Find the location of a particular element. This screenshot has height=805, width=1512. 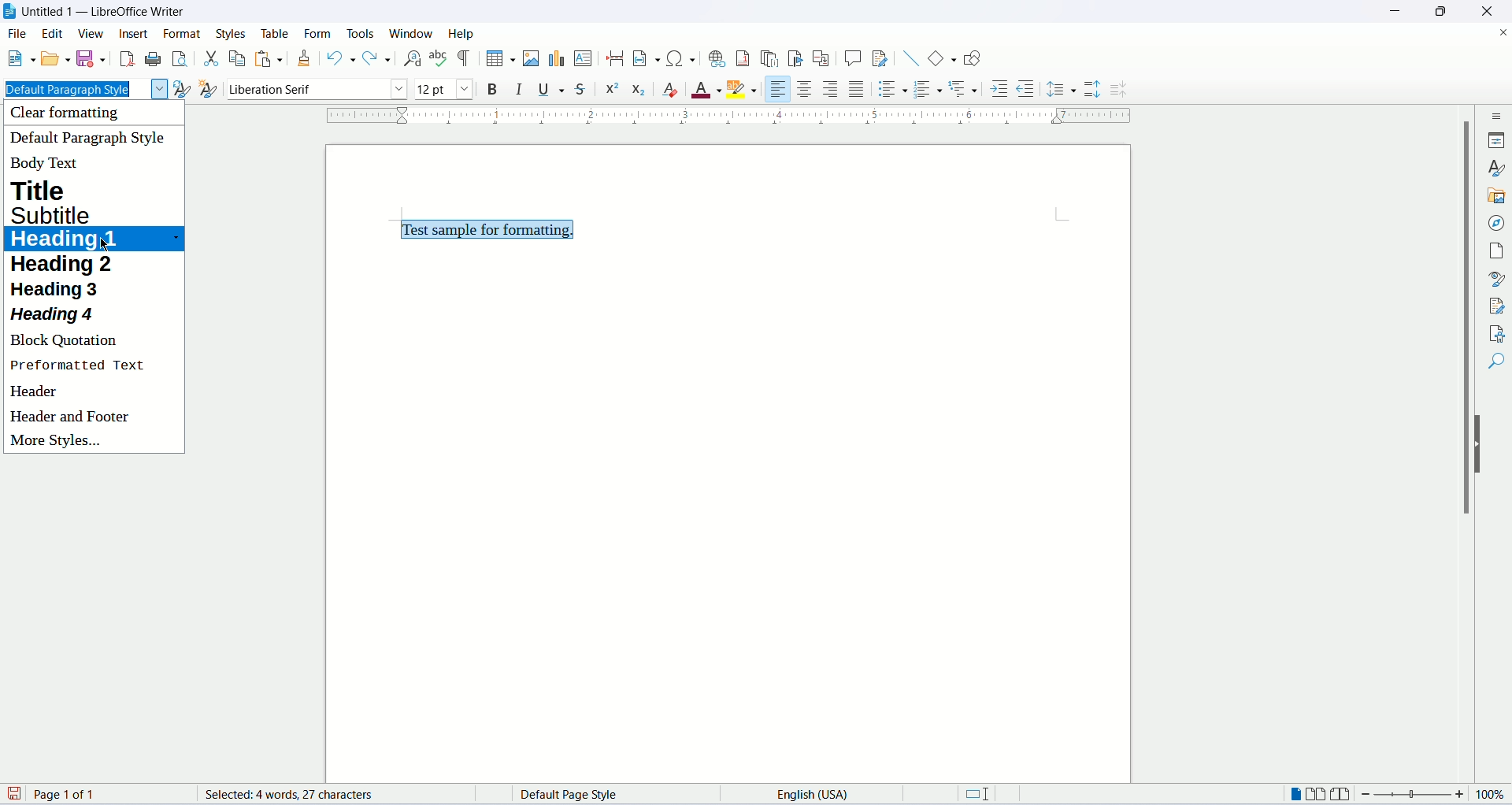

underline is located at coordinates (554, 90).